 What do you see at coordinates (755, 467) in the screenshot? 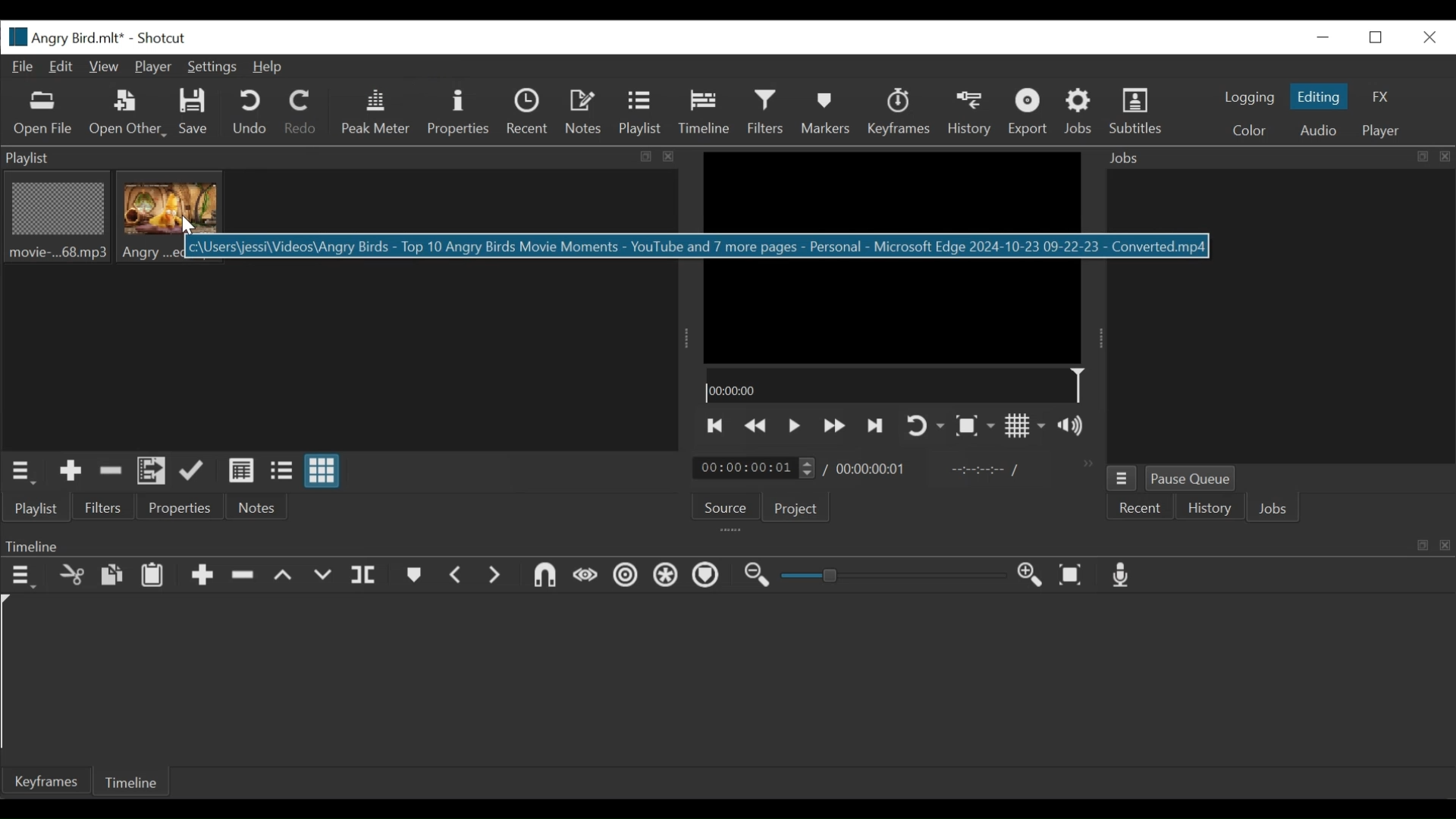
I see `Current Duration` at bounding box center [755, 467].